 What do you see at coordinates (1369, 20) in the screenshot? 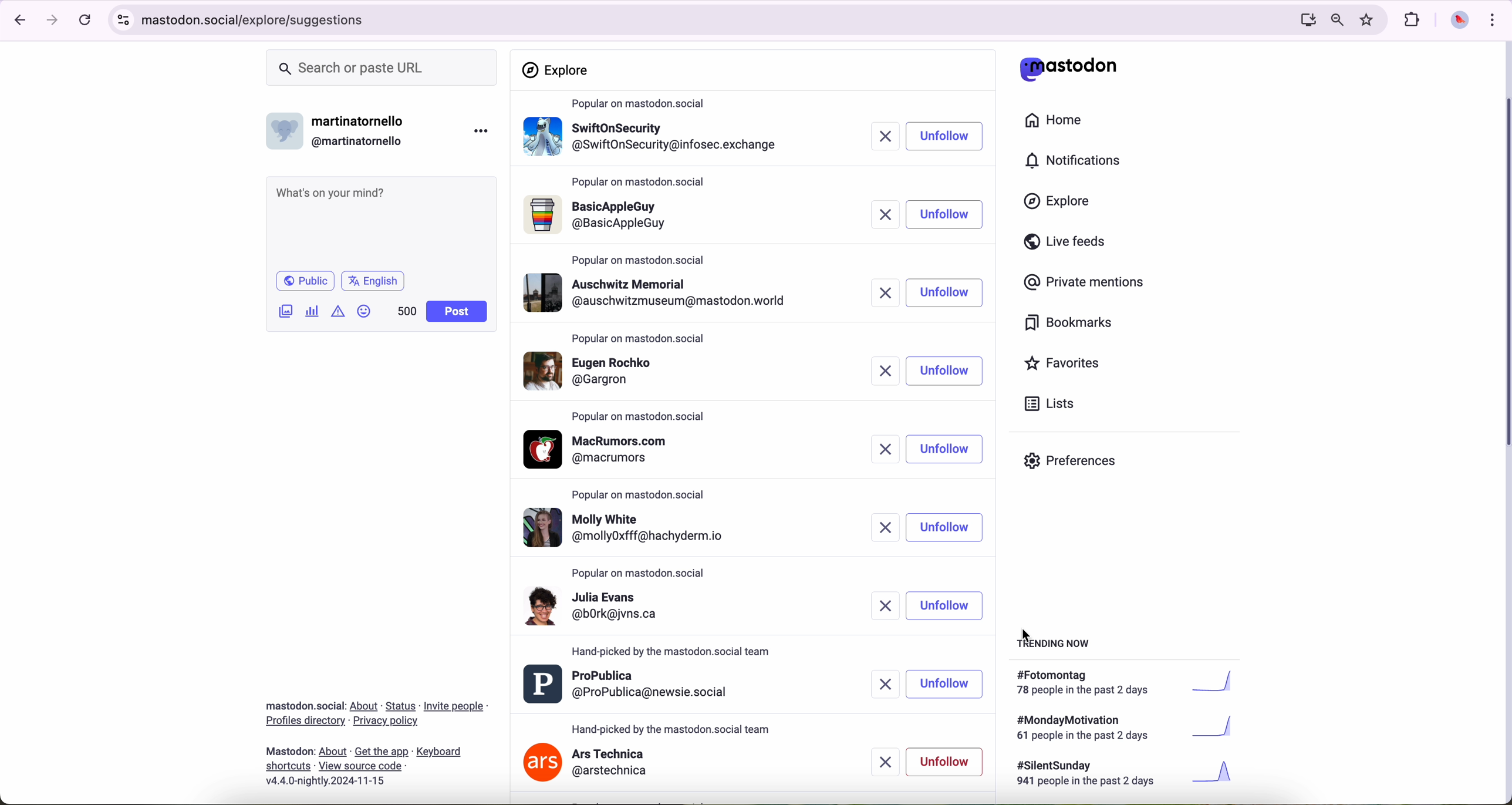
I see `favorites` at bounding box center [1369, 20].